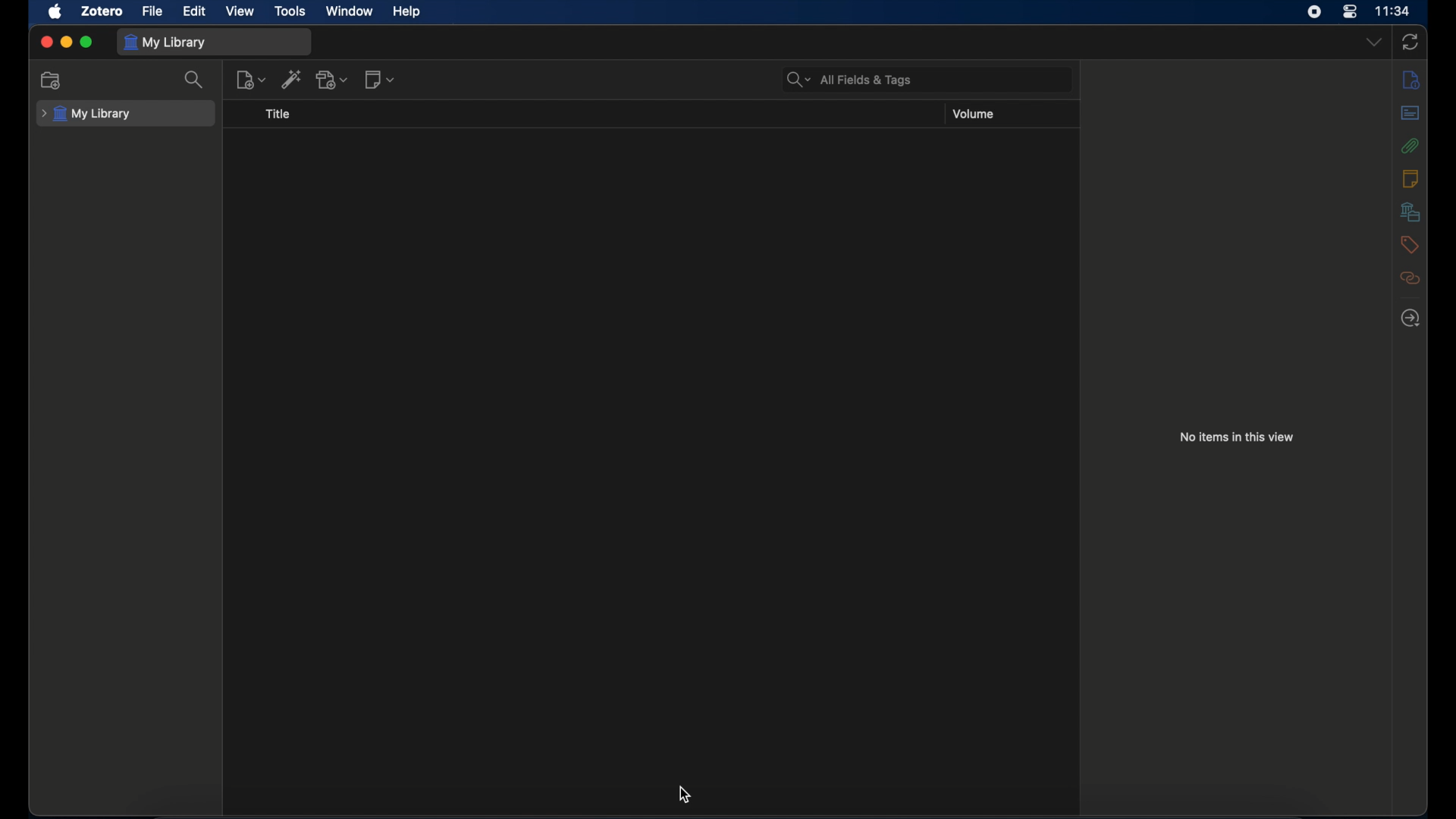 The height and width of the screenshot is (819, 1456). What do you see at coordinates (1410, 318) in the screenshot?
I see `locate` at bounding box center [1410, 318].